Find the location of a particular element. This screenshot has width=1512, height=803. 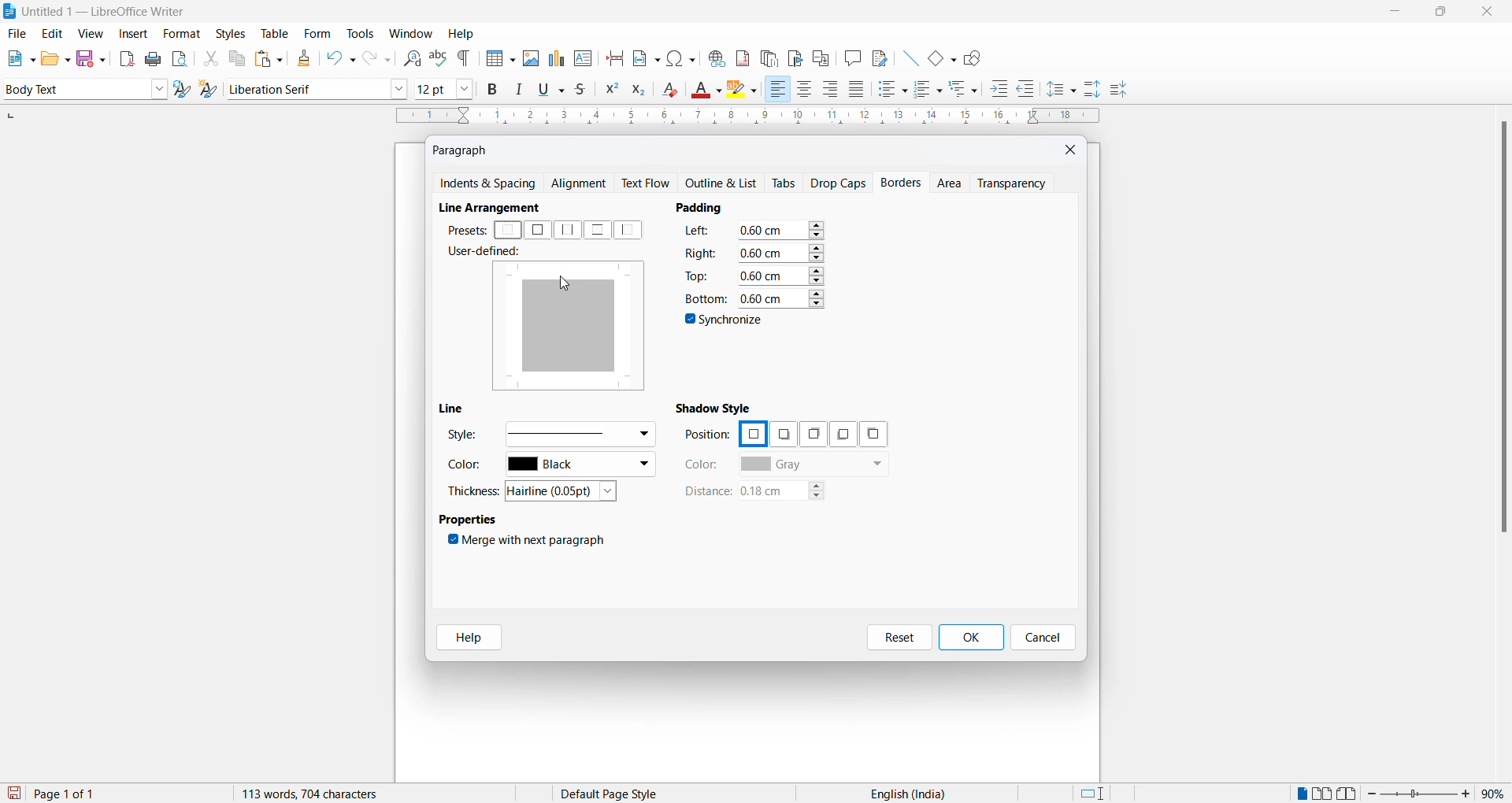

insert comments is located at coordinates (849, 57).